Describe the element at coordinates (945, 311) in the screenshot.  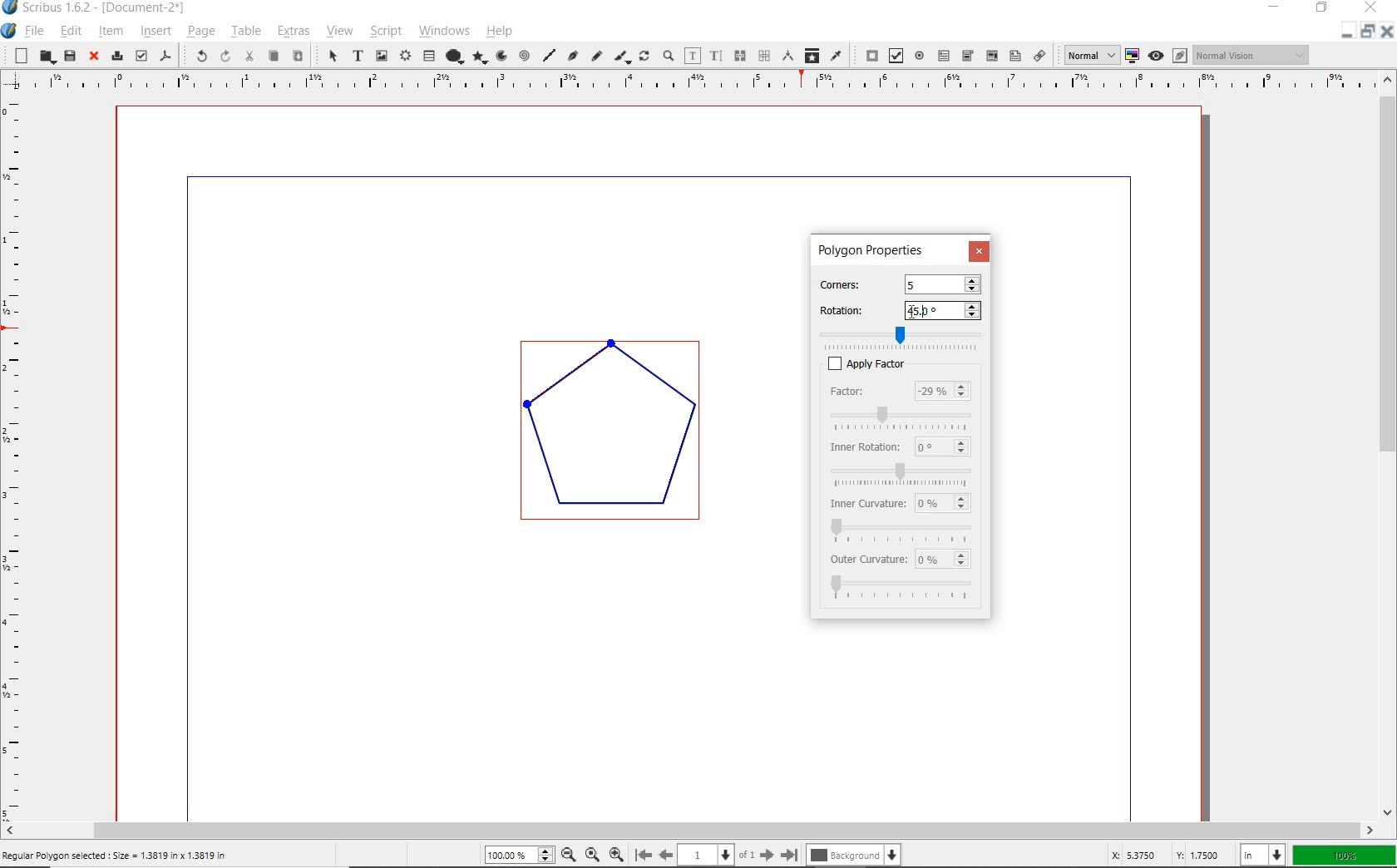
I see `input rotate` at that location.